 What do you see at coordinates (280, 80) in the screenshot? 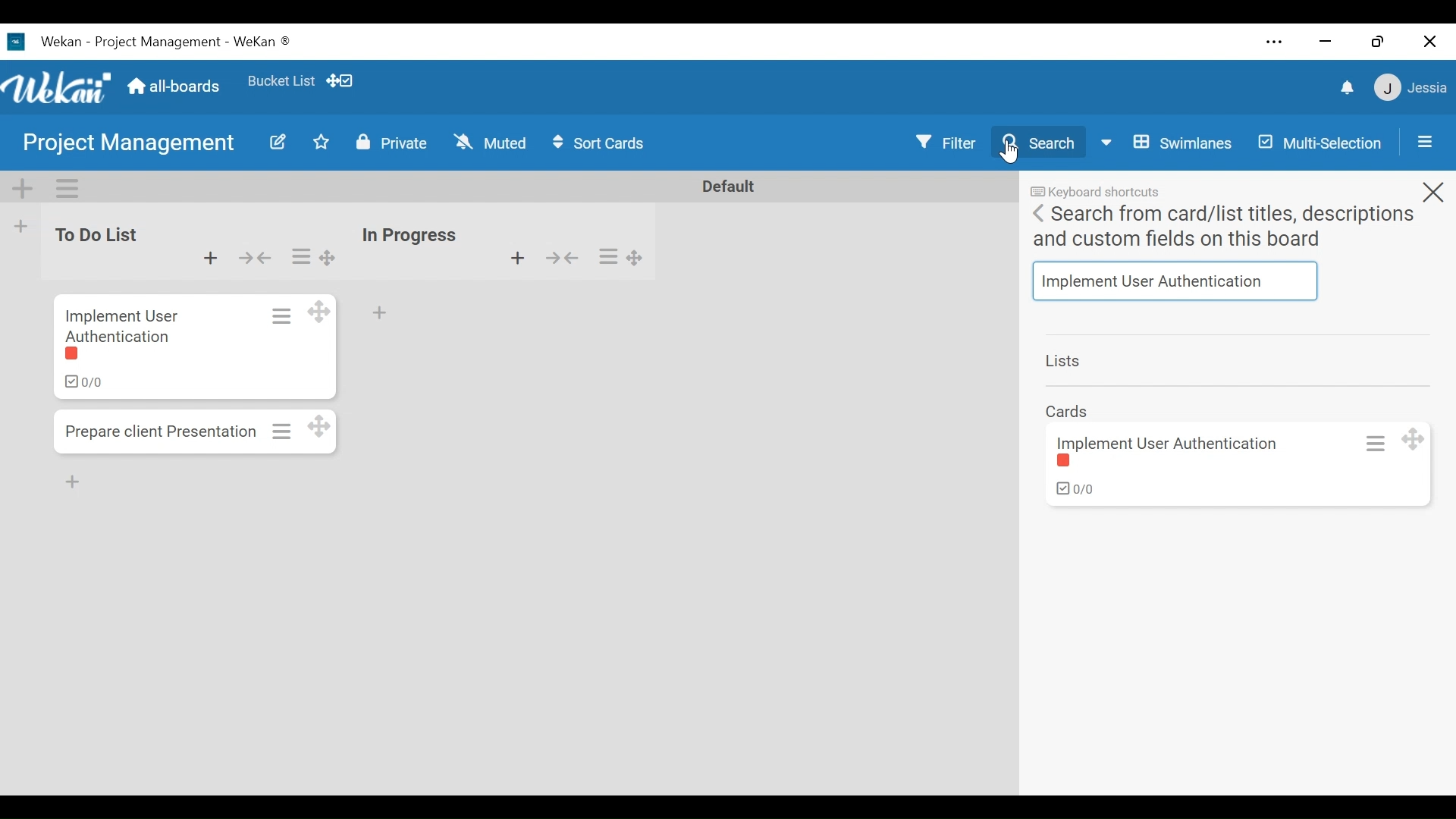
I see `Favorites` at bounding box center [280, 80].